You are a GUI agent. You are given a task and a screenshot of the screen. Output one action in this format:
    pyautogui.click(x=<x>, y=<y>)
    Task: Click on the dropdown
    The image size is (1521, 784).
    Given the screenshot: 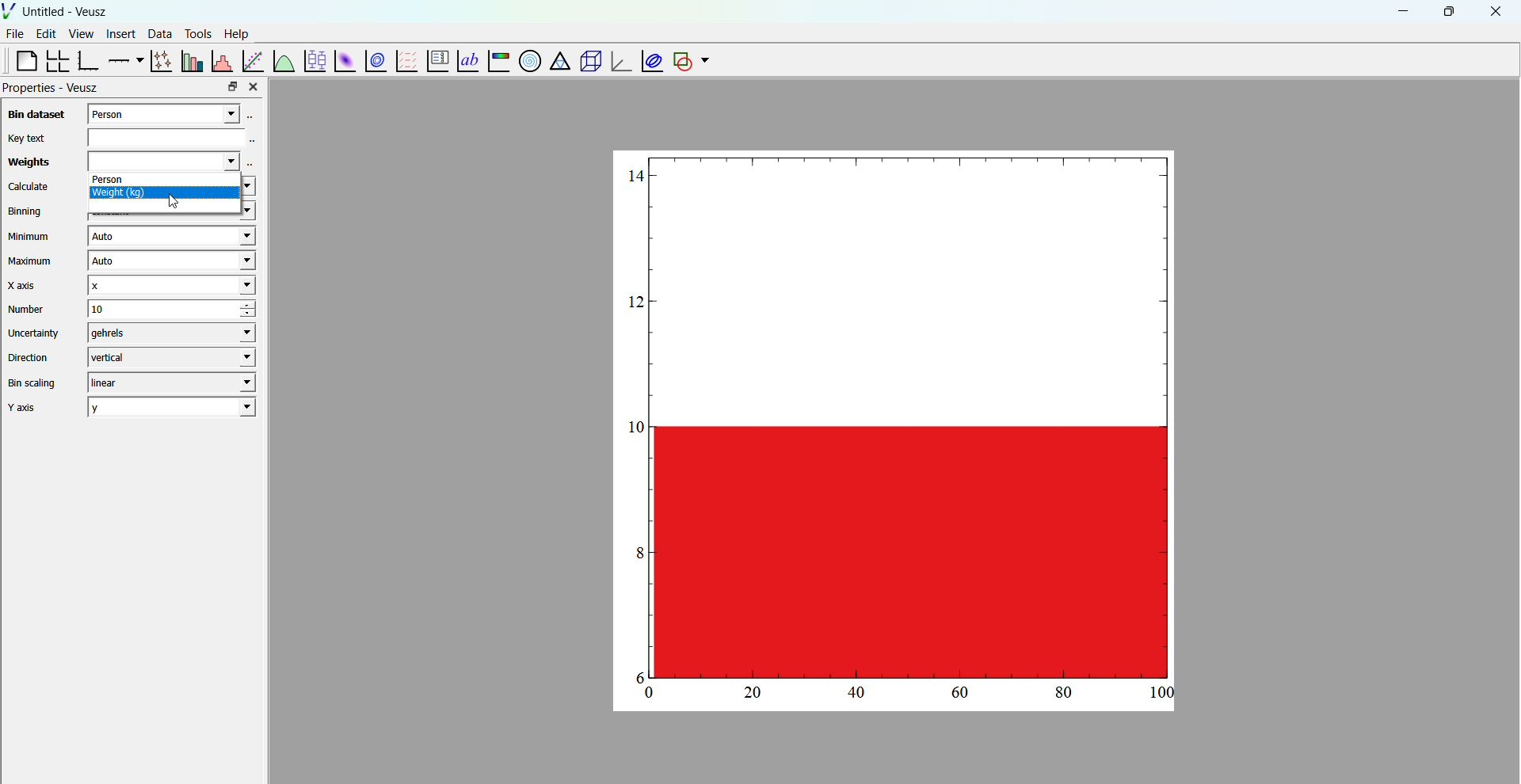 What is the action you would take?
    pyautogui.click(x=705, y=61)
    